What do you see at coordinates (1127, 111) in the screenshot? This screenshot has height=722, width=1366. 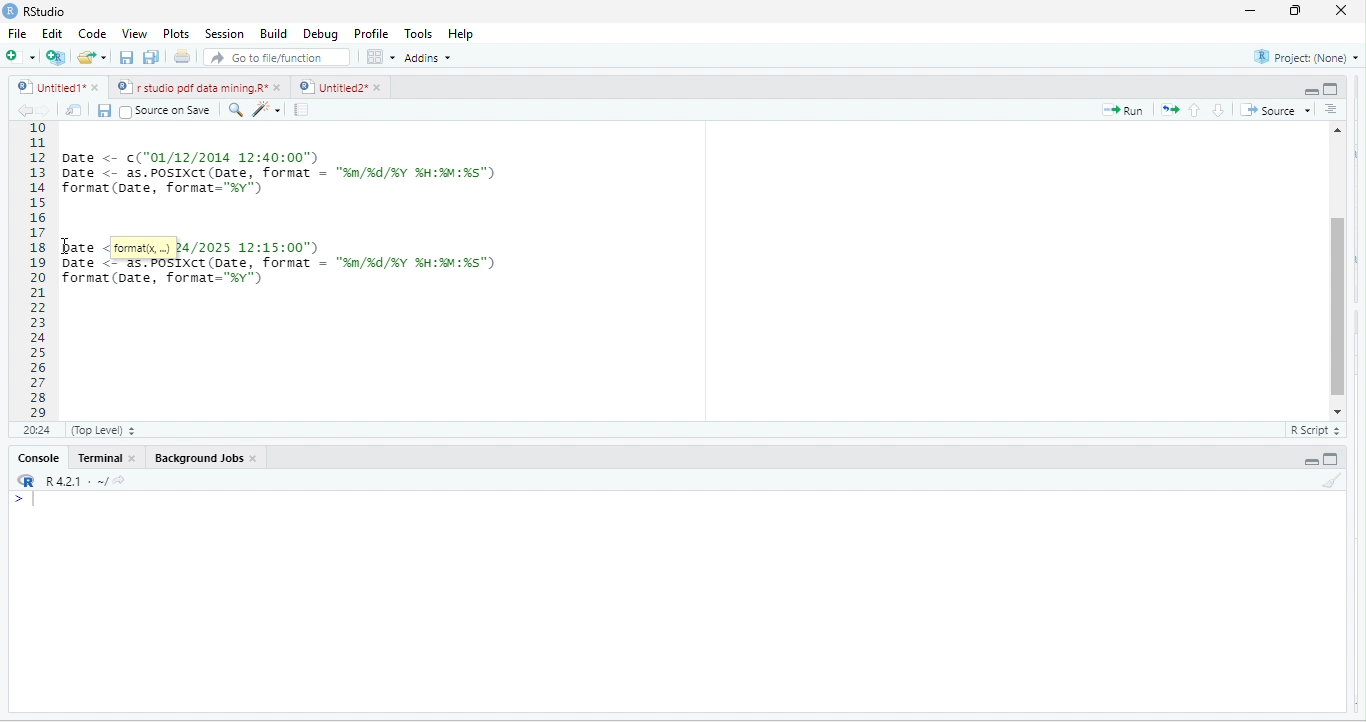 I see `Run` at bounding box center [1127, 111].